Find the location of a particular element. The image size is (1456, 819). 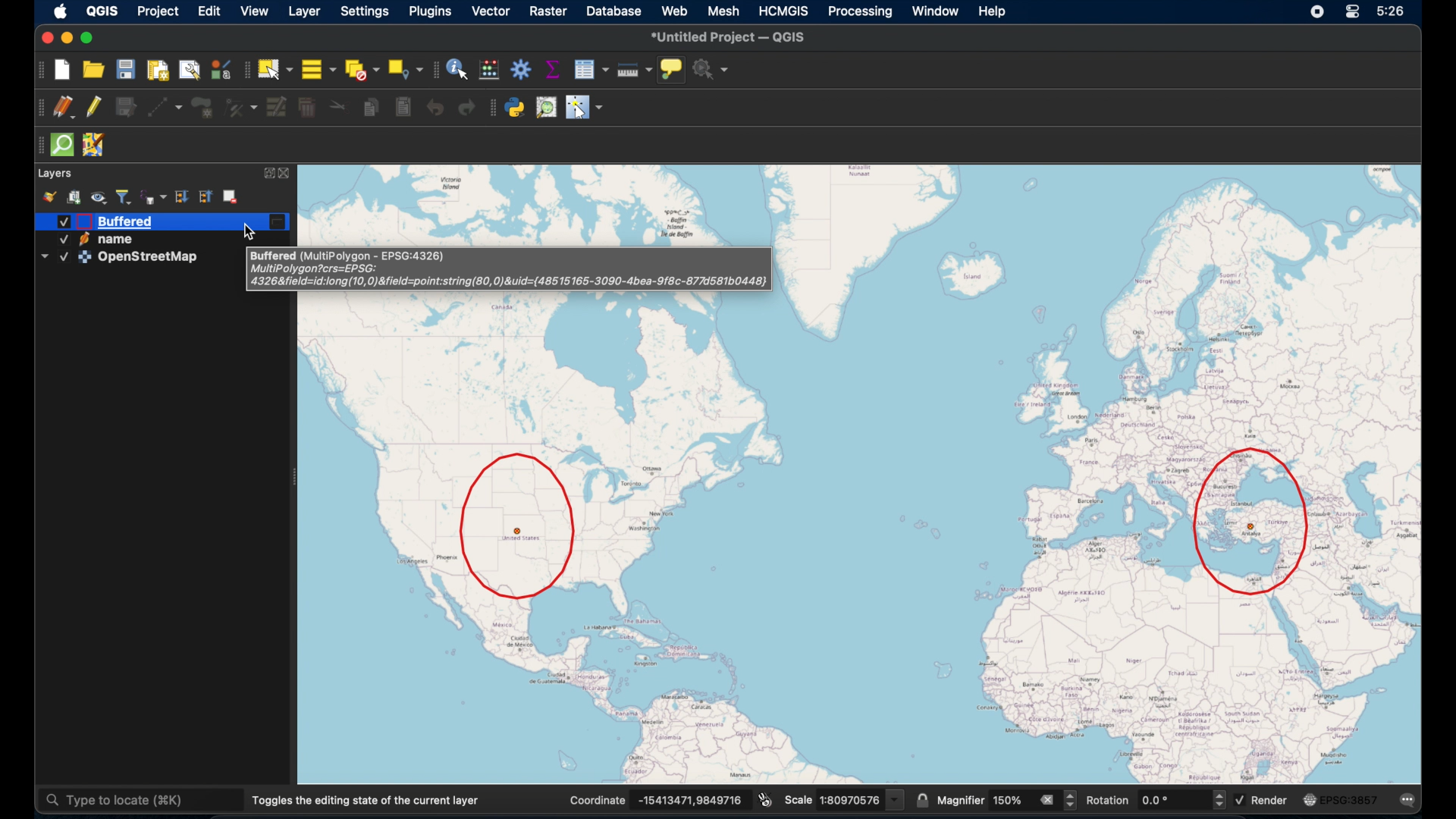

processing is located at coordinates (861, 13).